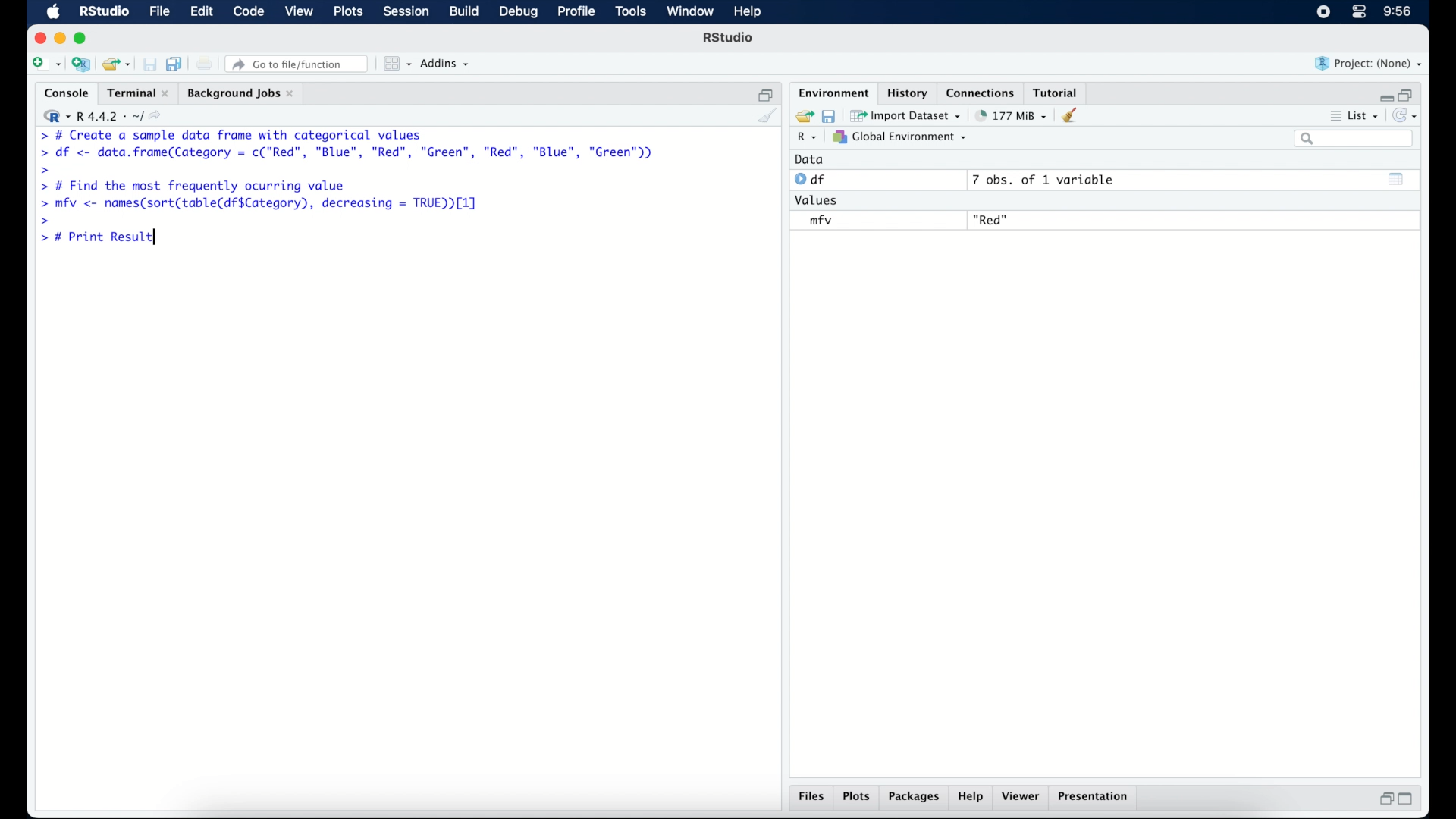 The height and width of the screenshot is (819, 1456). What do you see at coordinates (117, 64) in the screenshot?
I see `open an existing project` at bounding box center [117, 64].